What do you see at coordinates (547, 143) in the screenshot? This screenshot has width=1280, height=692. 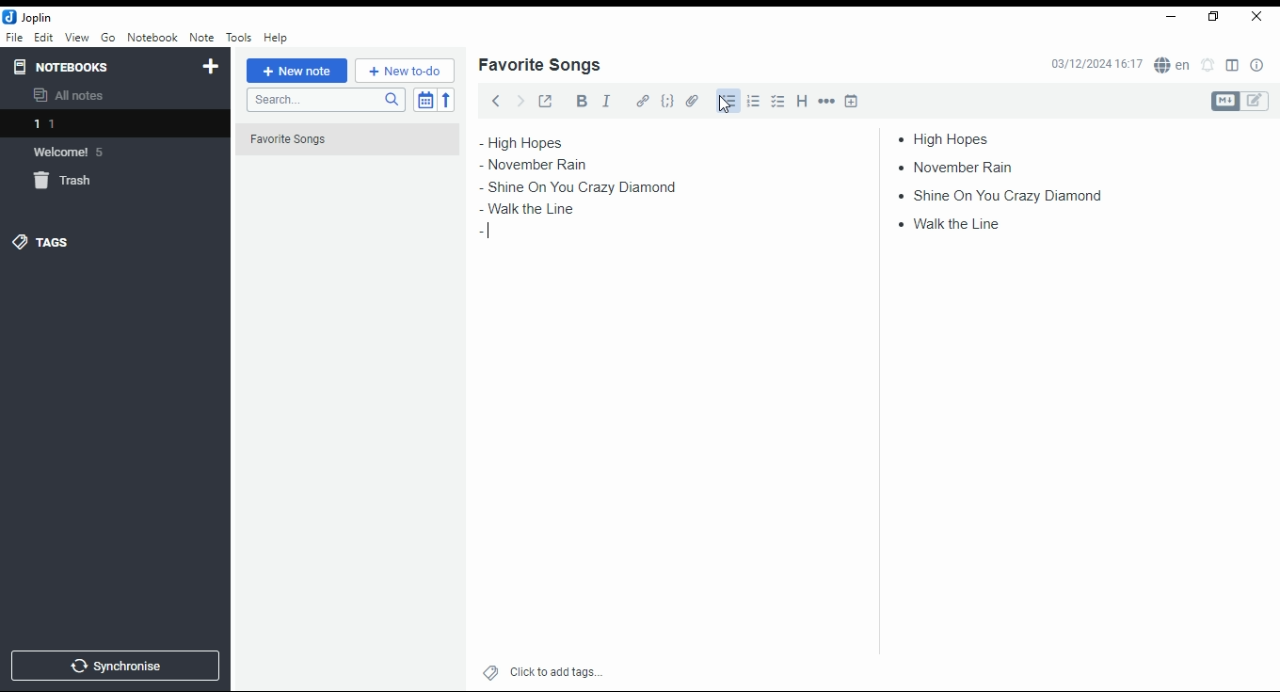 I see `high hopes` at bounding box center [547, 143].